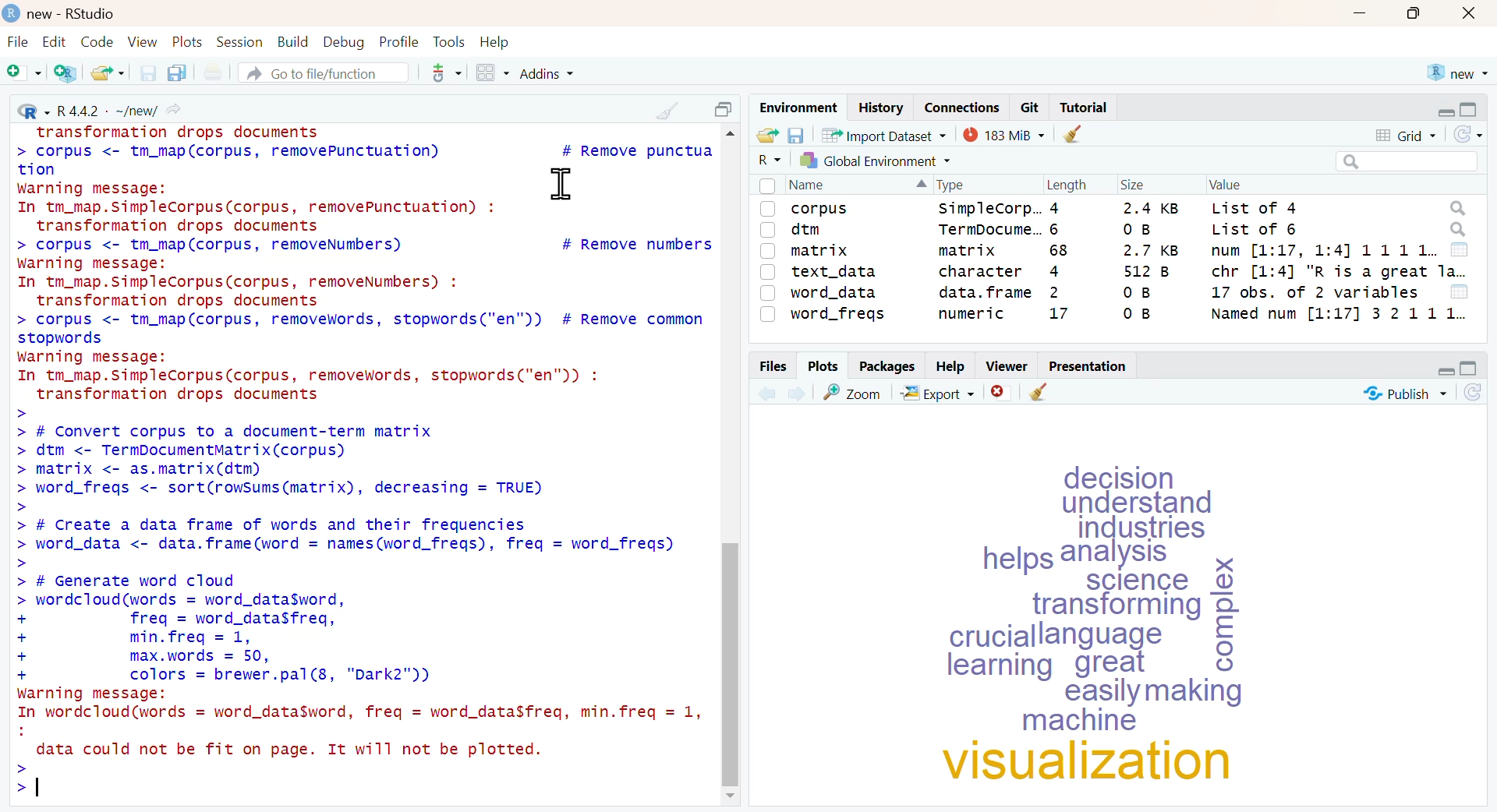 The height and width of the screenshot is (812, 1497). What do you see at coordinates (950, 367) in the screenshot?
I see `Help` at bounding box center [950, 367].